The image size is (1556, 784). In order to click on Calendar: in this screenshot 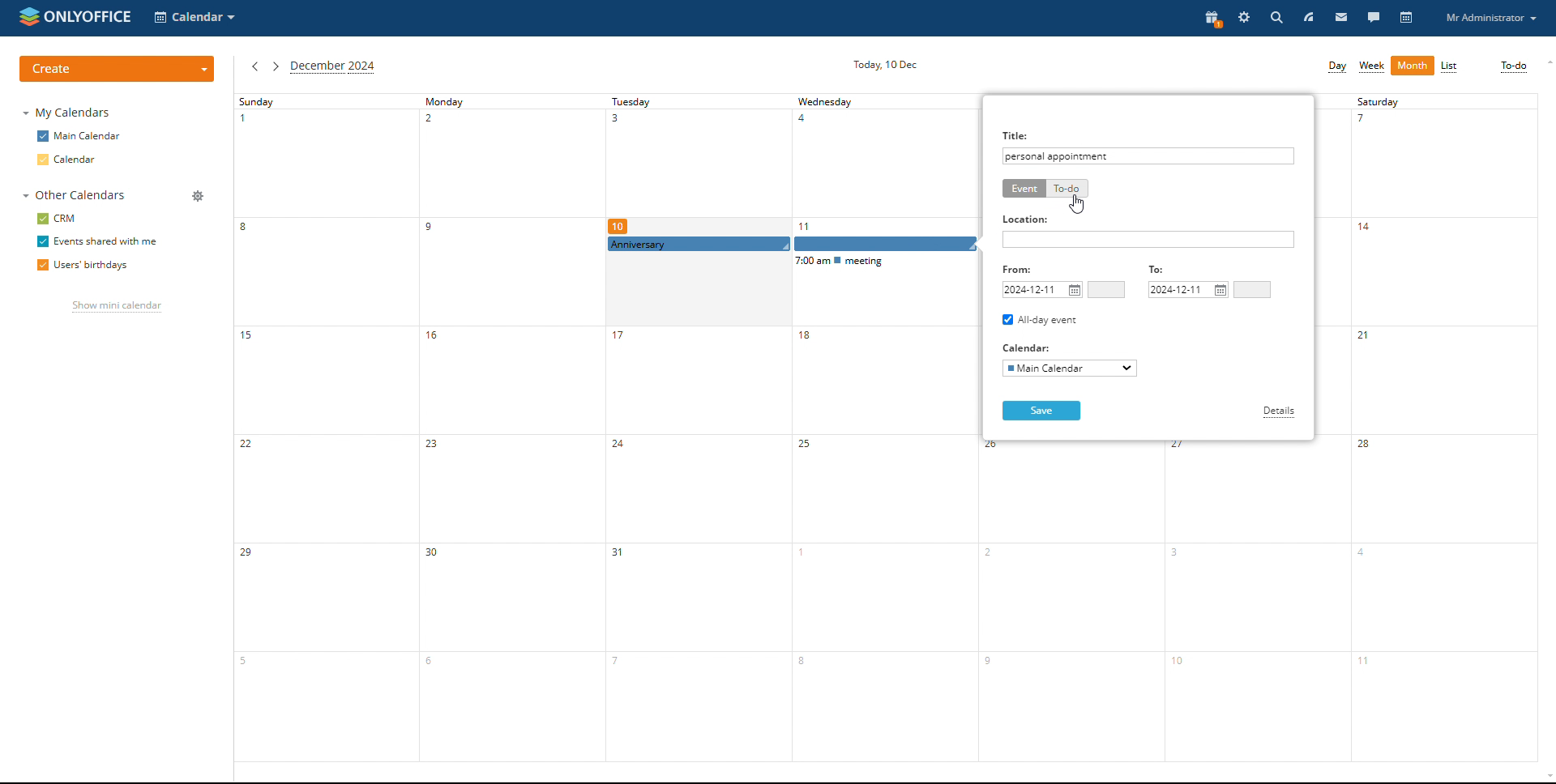, I will do `click(1029, 347)`.